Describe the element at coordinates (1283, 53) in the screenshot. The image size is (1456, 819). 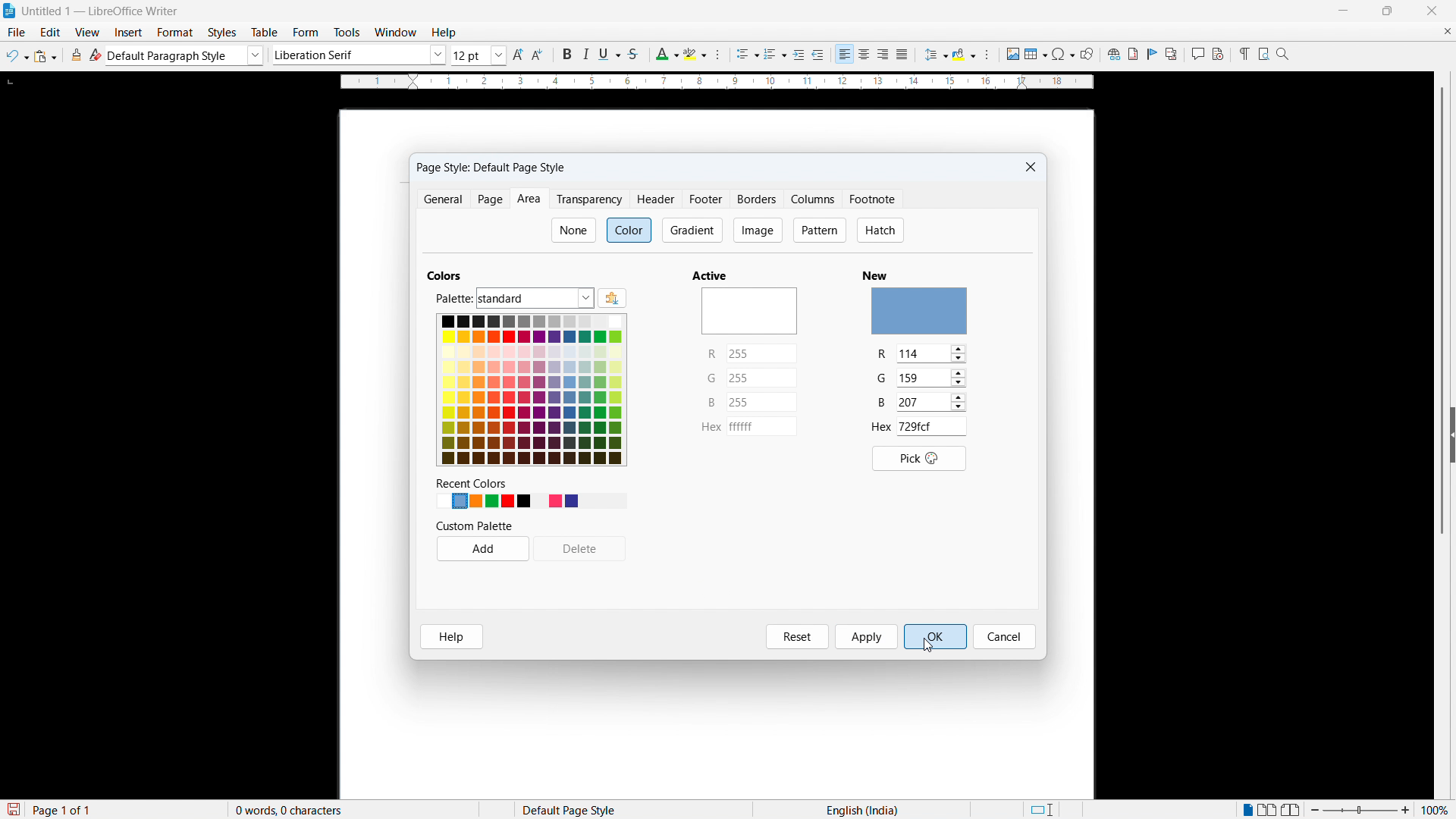
I see `Zoom ` at that location.